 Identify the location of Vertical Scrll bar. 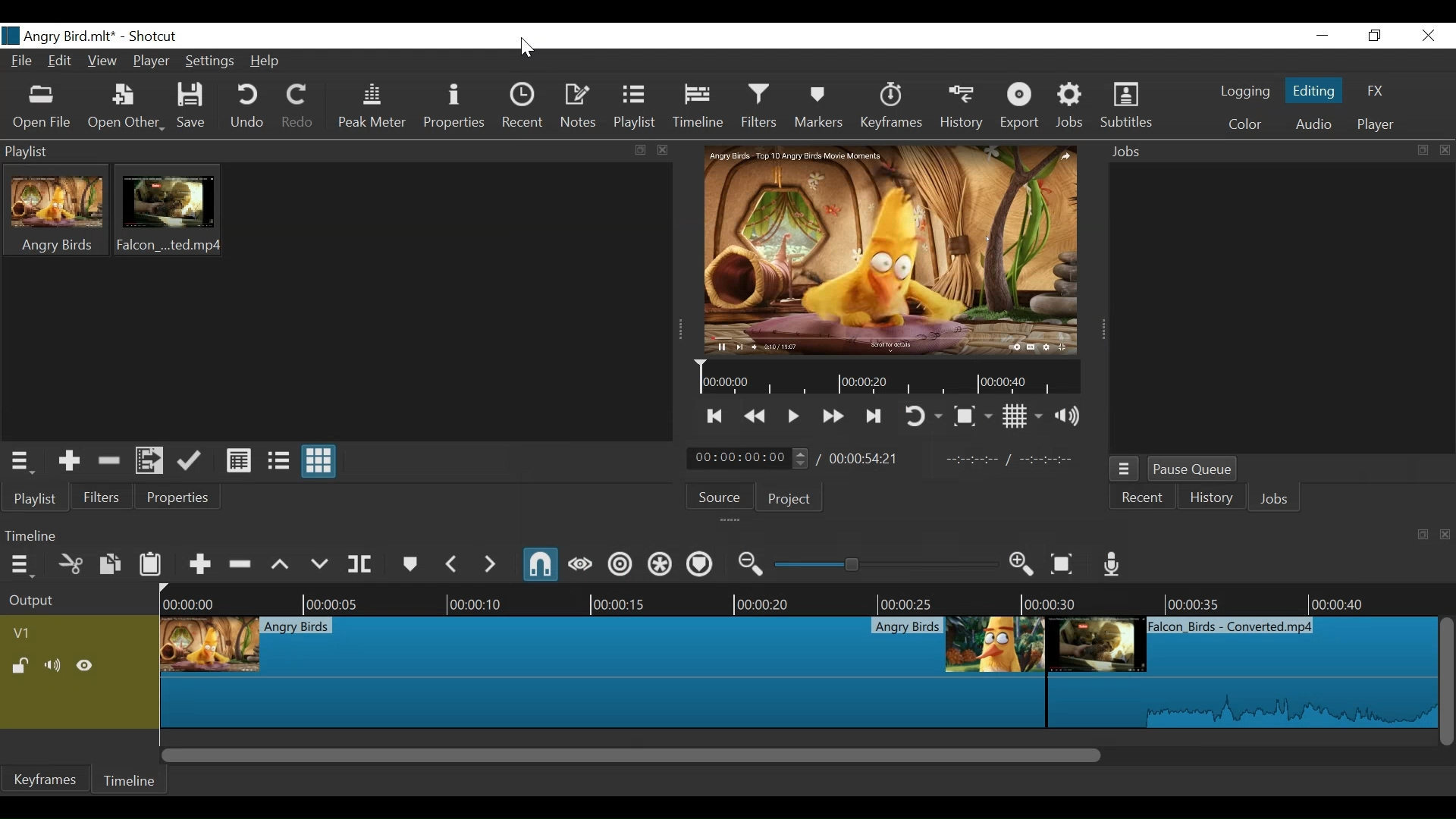
(1447, 682).